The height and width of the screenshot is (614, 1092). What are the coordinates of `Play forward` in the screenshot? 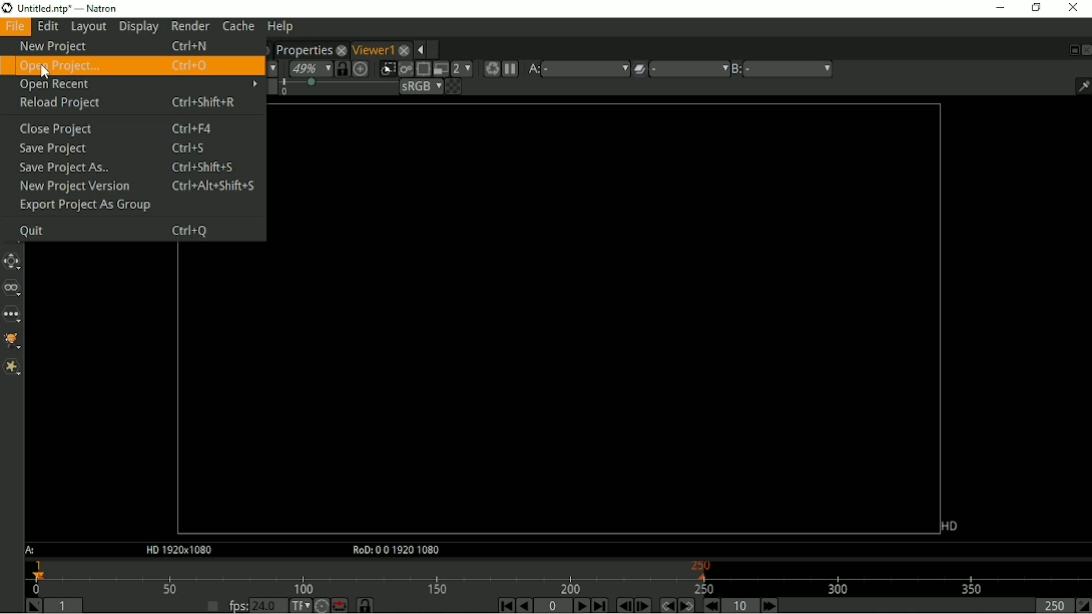 It's located at (580, 605).